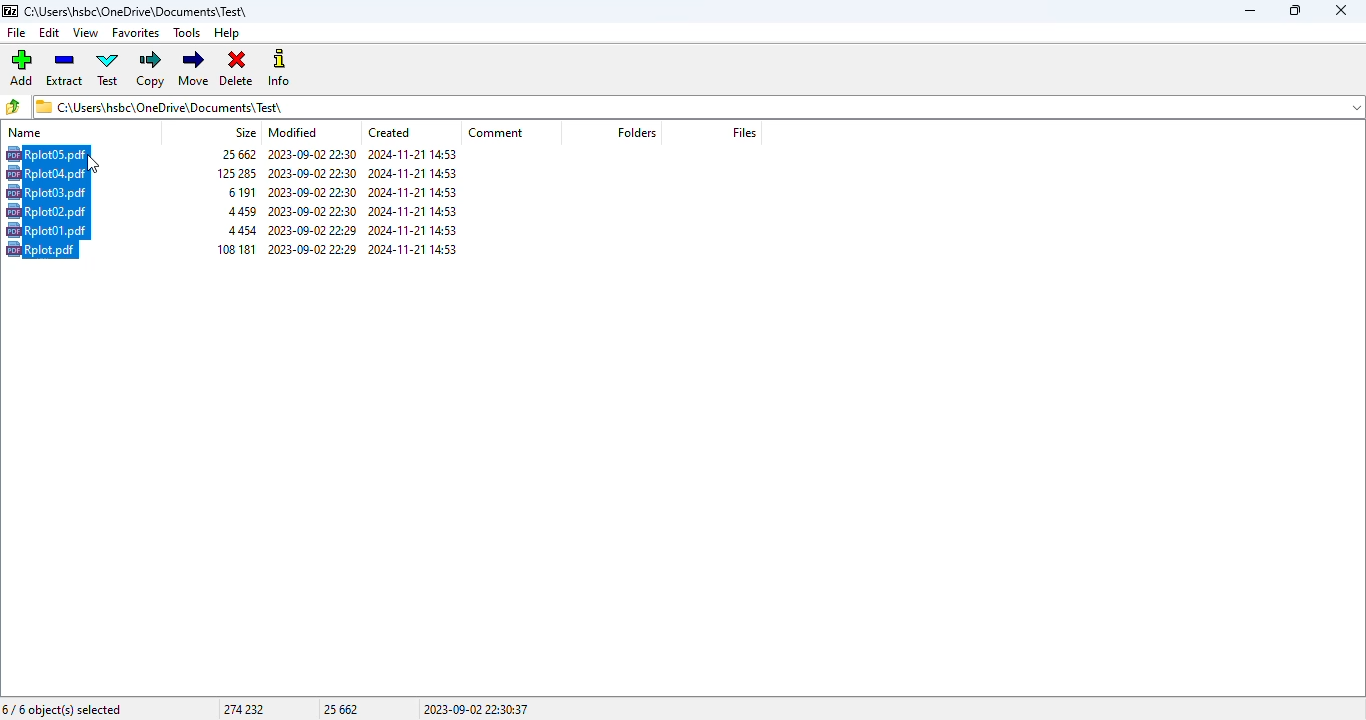  Describe the element at coordinates (188, 33) in the screenshot. I see `tools` at that location.